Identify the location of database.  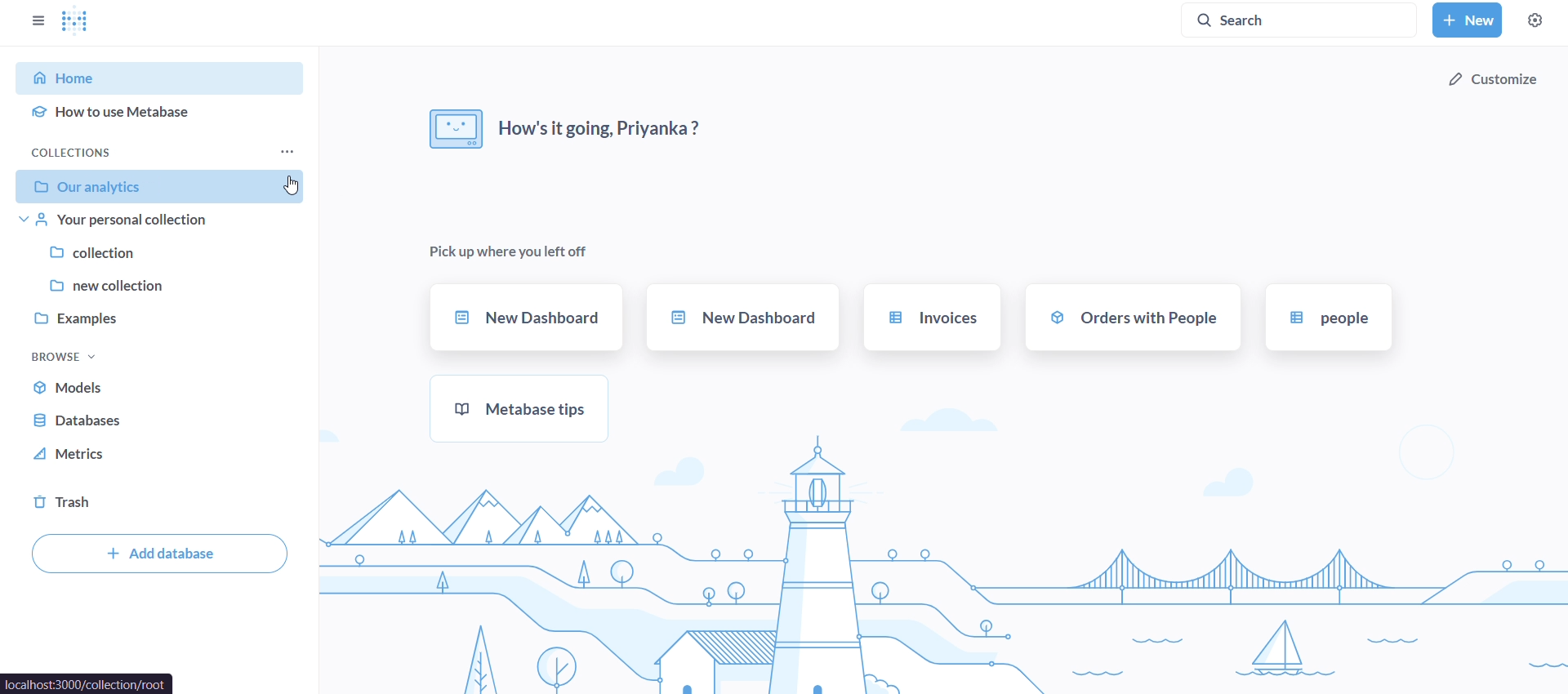
(86, 424).